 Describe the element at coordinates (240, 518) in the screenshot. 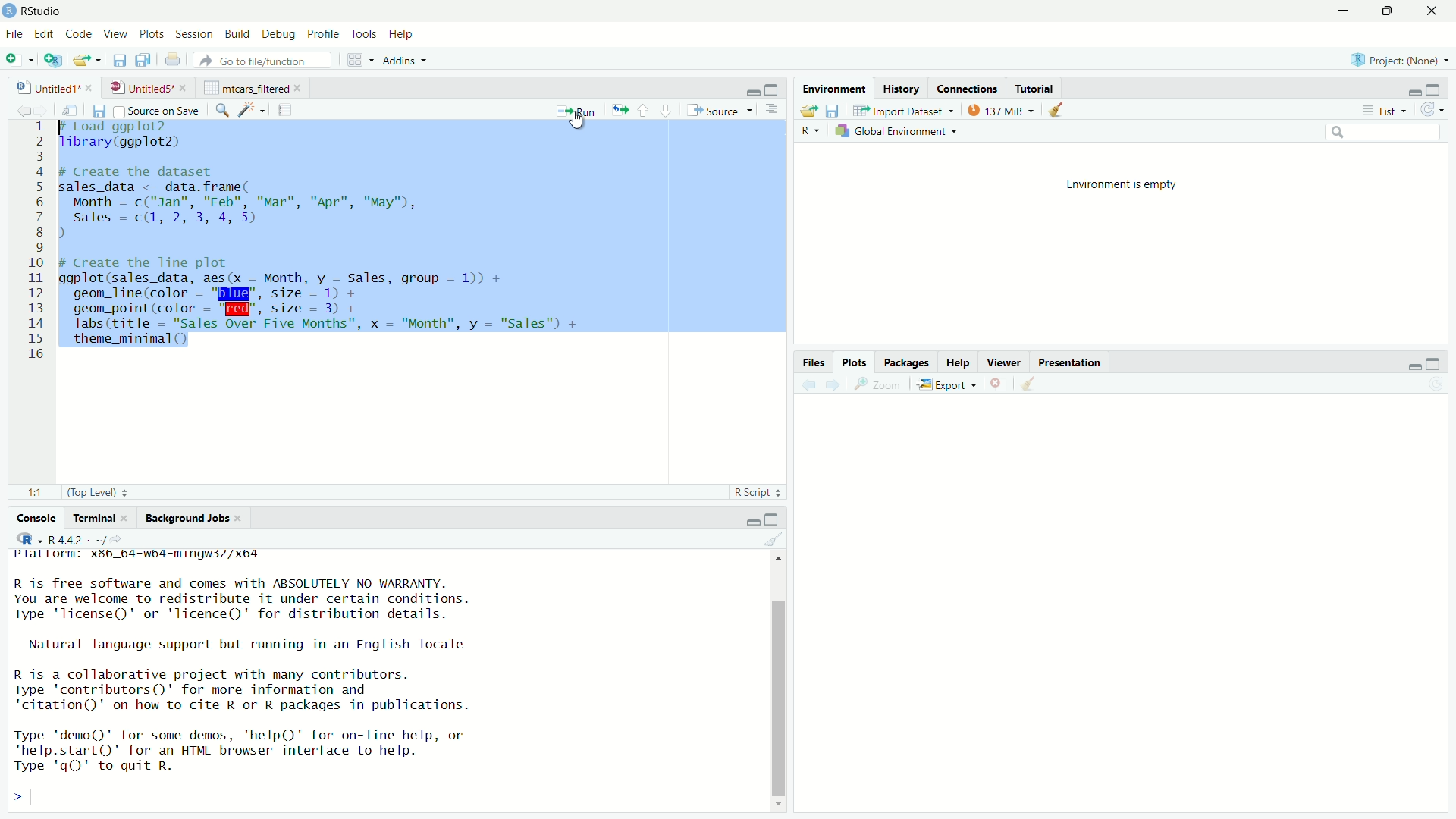

I see `close` at that location.